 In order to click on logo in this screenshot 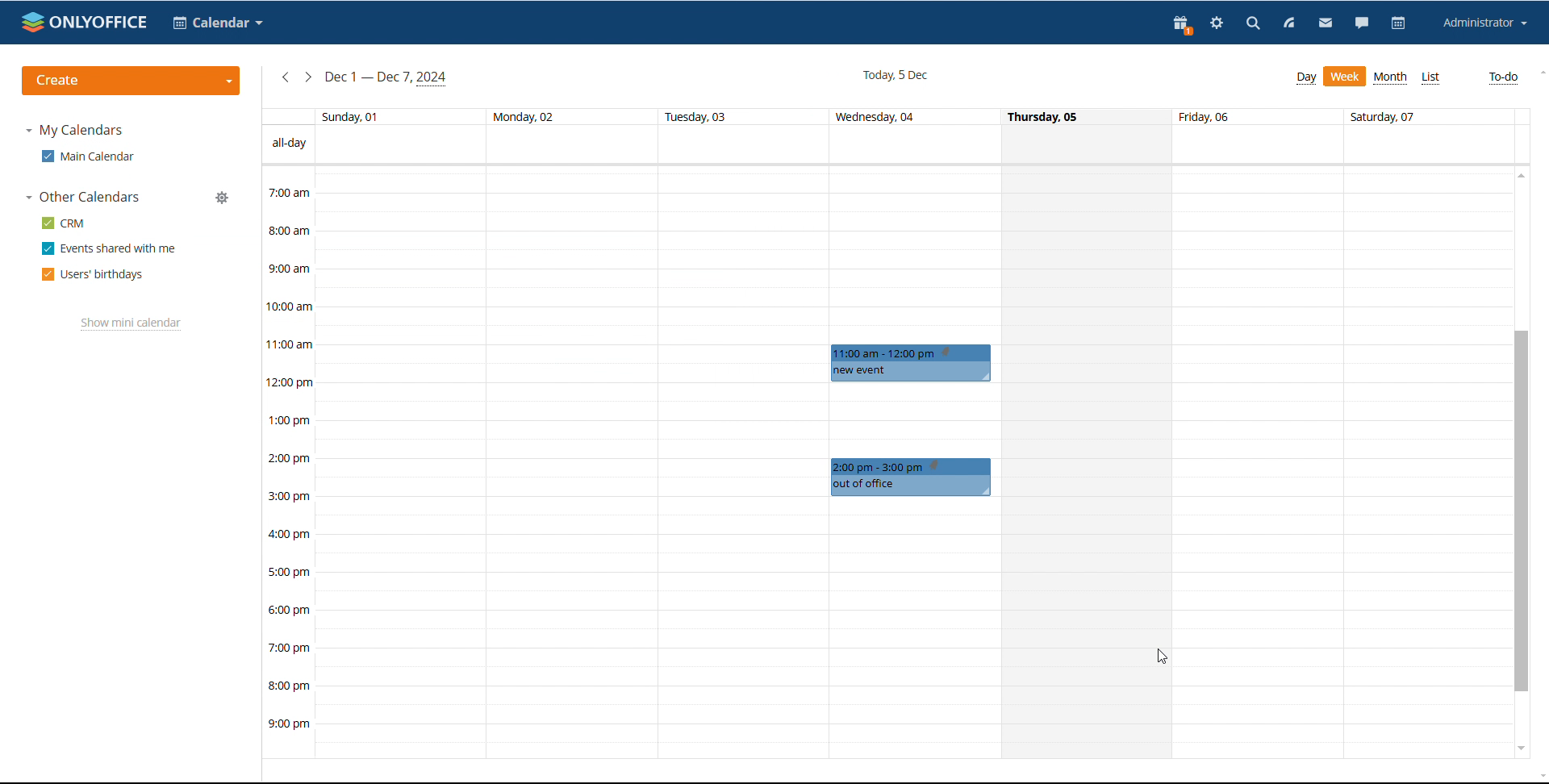, I will do `click(83, 21)`.